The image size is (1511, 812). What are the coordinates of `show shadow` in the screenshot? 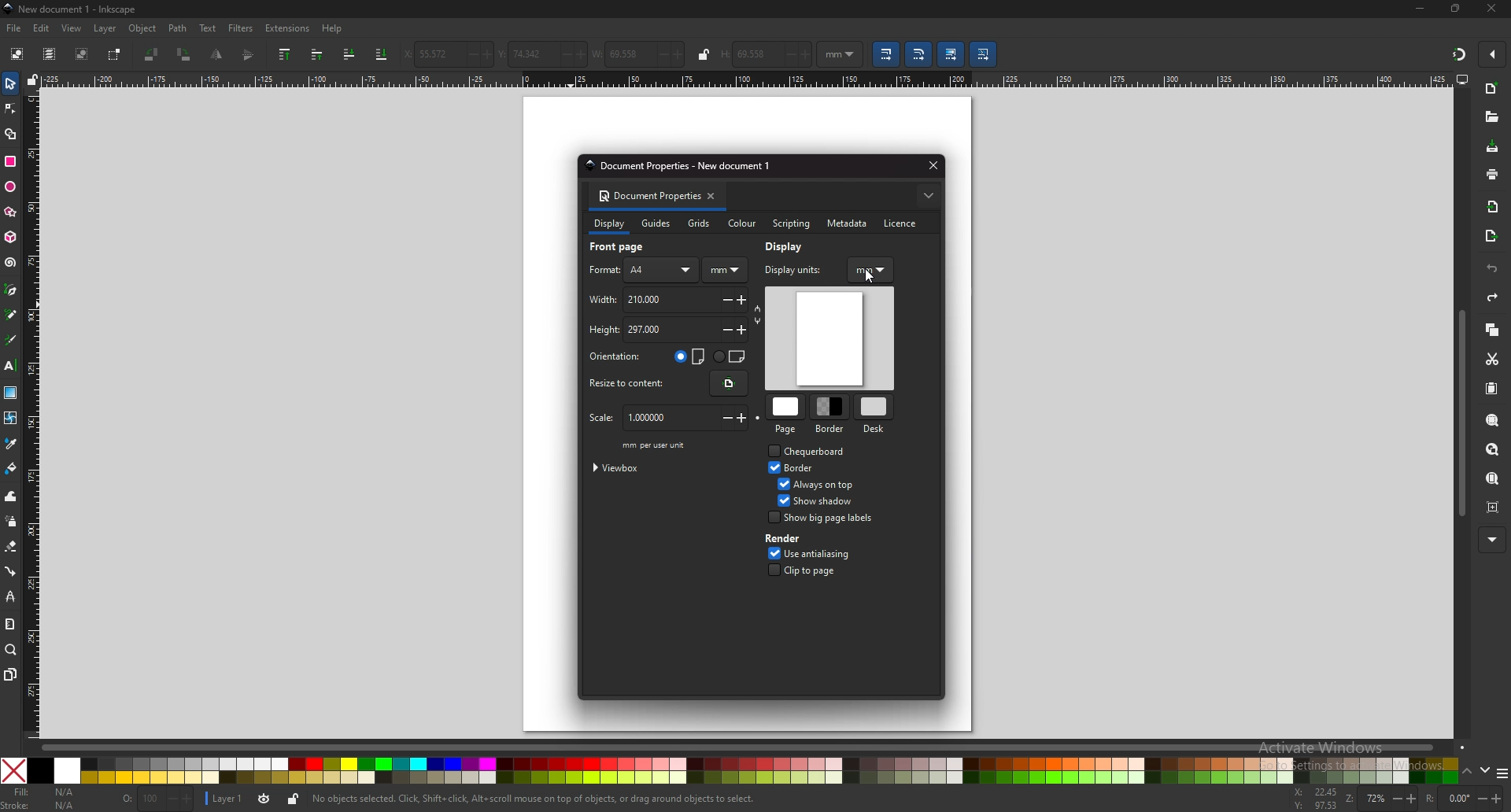 It's located at (829, 500).